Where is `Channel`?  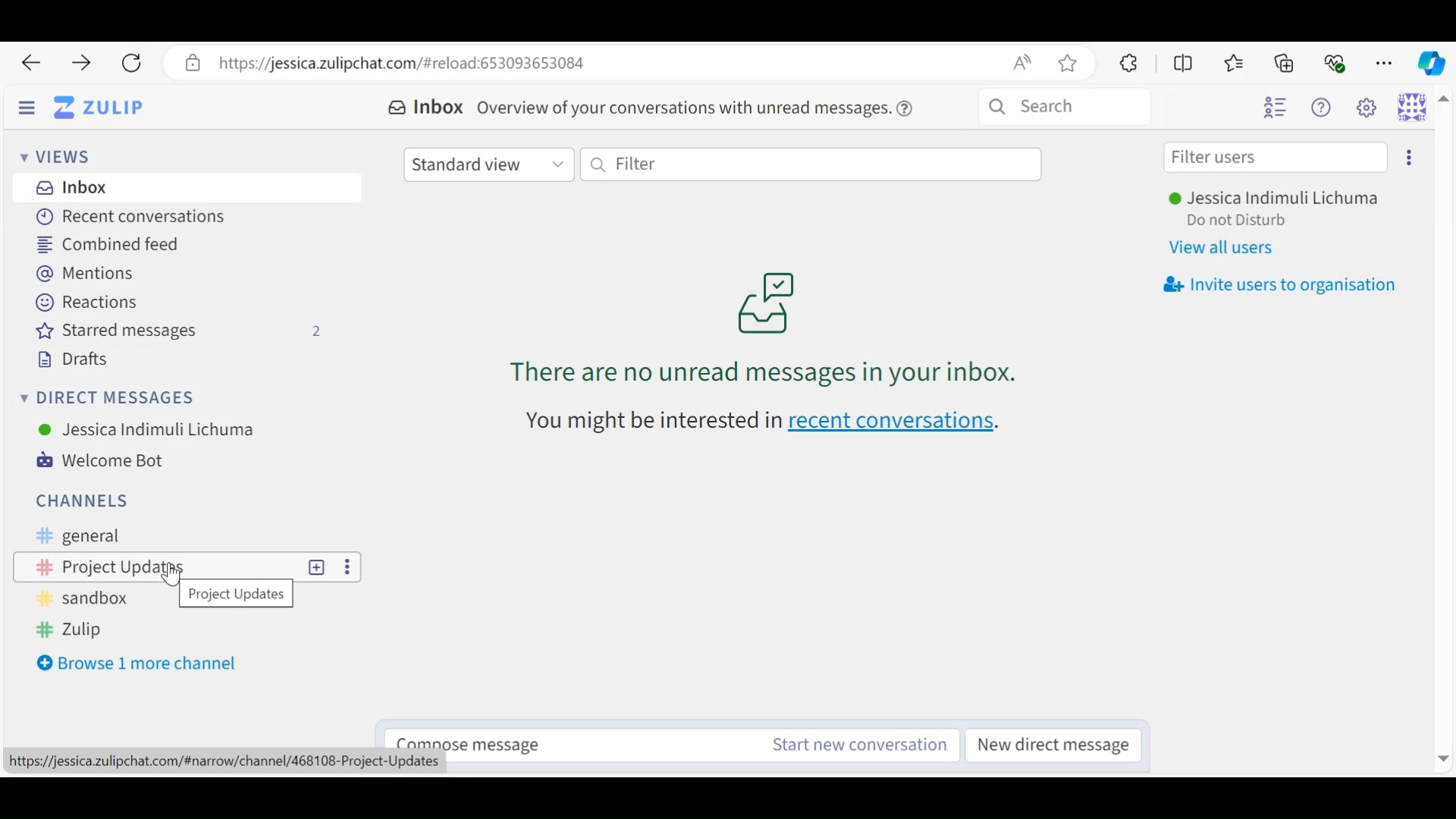 Channel is located at coordinates (192, 535).